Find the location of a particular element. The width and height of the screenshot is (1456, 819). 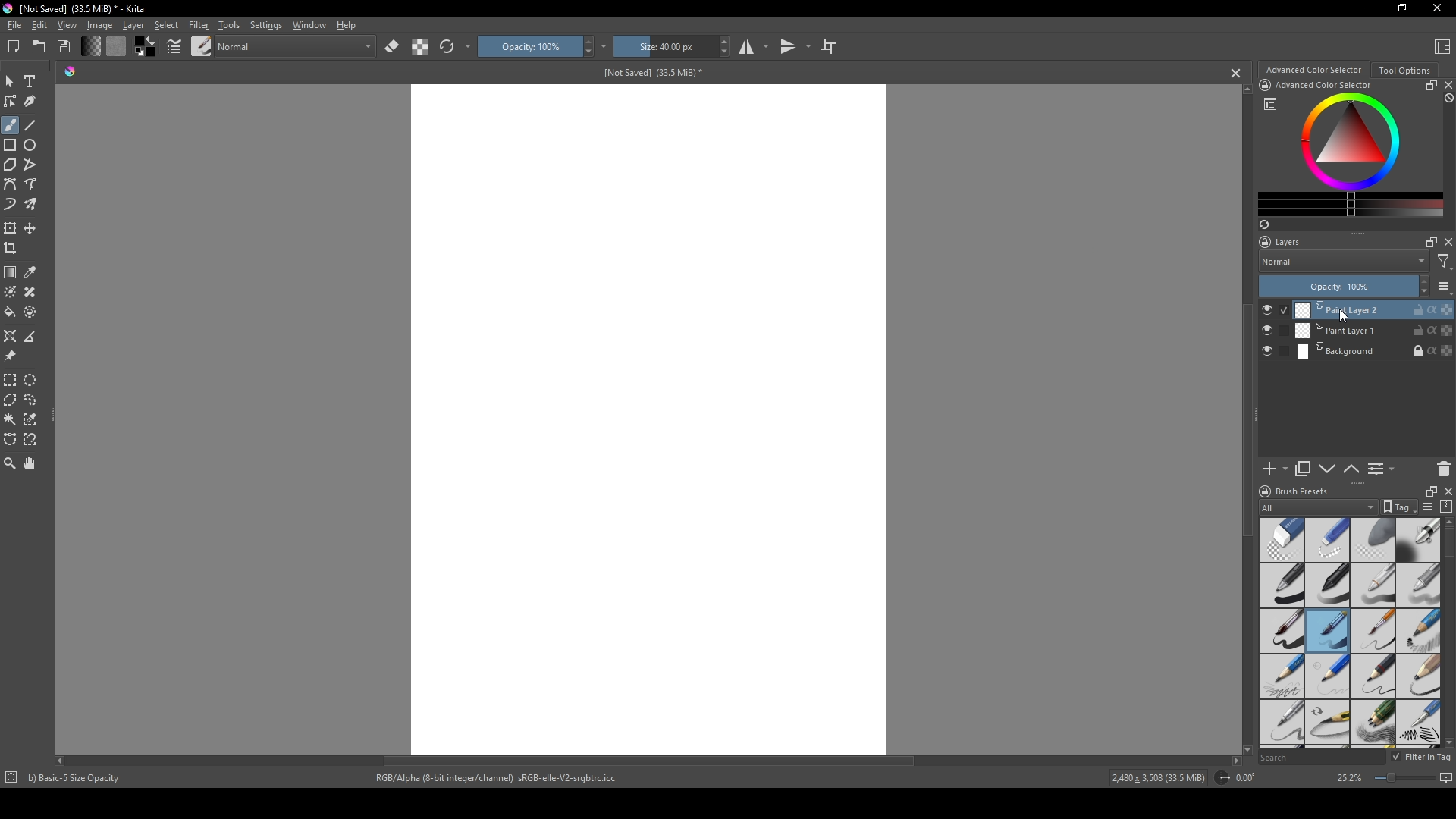

cancel is located at coordinates (1237, 73).